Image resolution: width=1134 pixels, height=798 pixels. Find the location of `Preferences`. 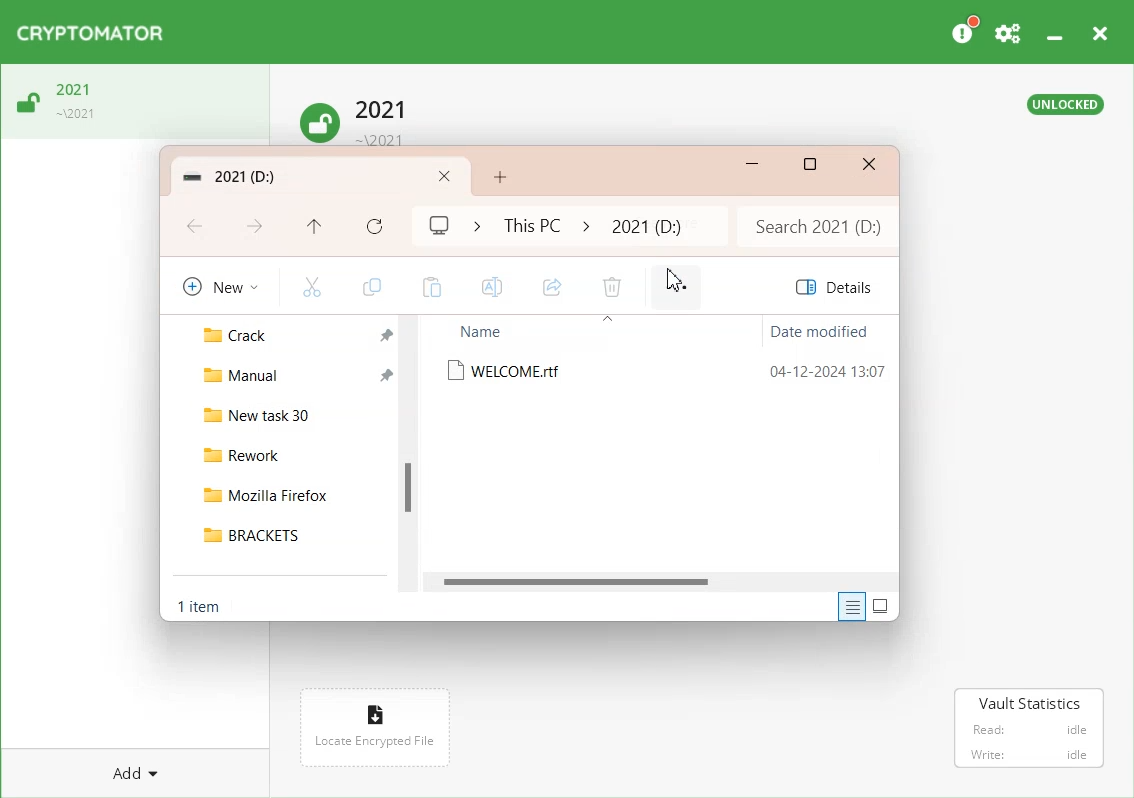

Preferences is located at coordinates (1009, 30).